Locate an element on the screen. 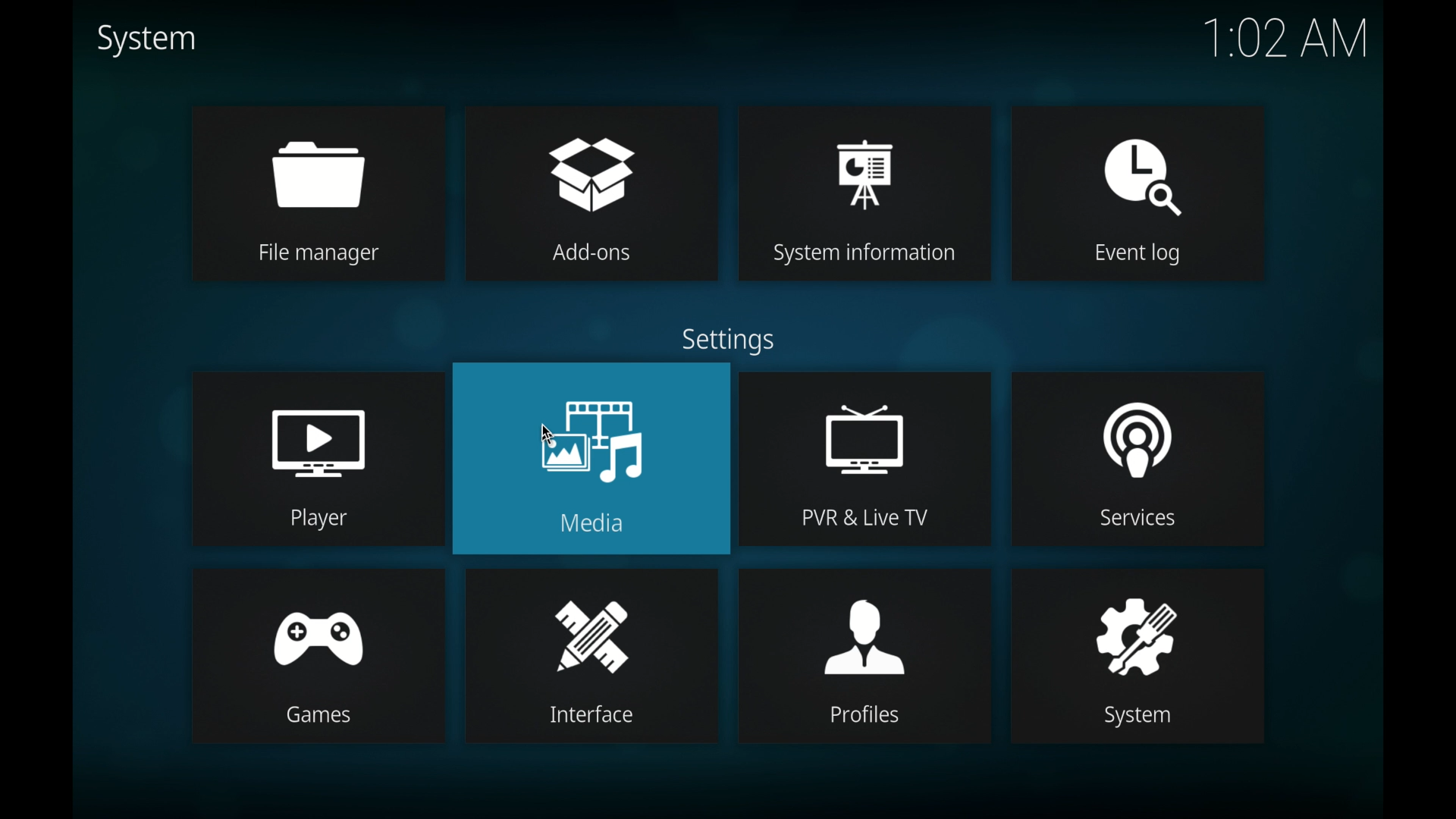 This screenshot has height=819, width=1456. Media is located at coordinates (603, 522).